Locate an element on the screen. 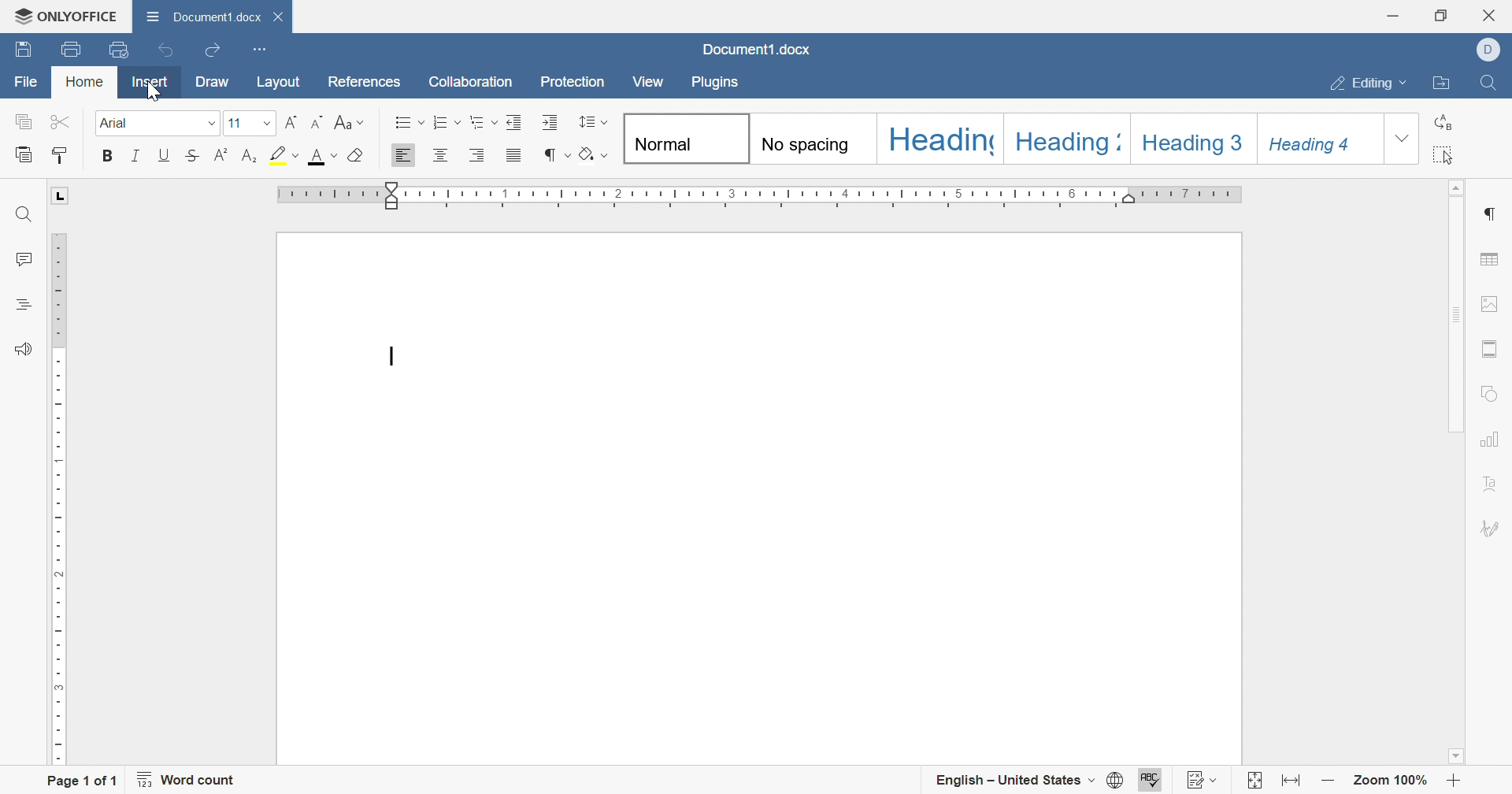 The width and height of the screenshot is (1512, 794). Fit to width is located at coordinates (1288, 781).